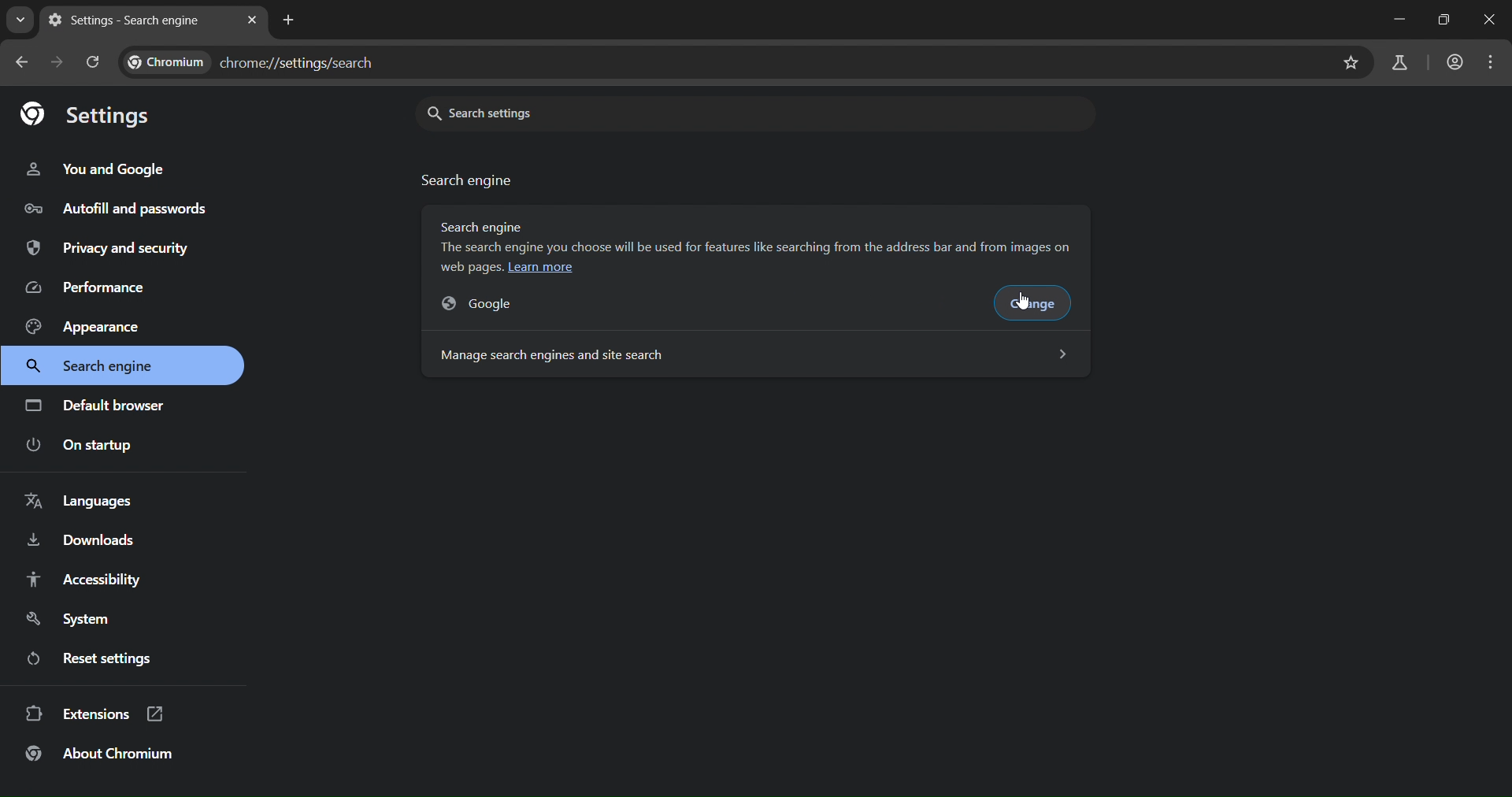 This screenshot has width=1512, height=797. What do you see at coordinates (606, 112) in the screenshot?
I see `search settings` at bounding box center [606, 112].